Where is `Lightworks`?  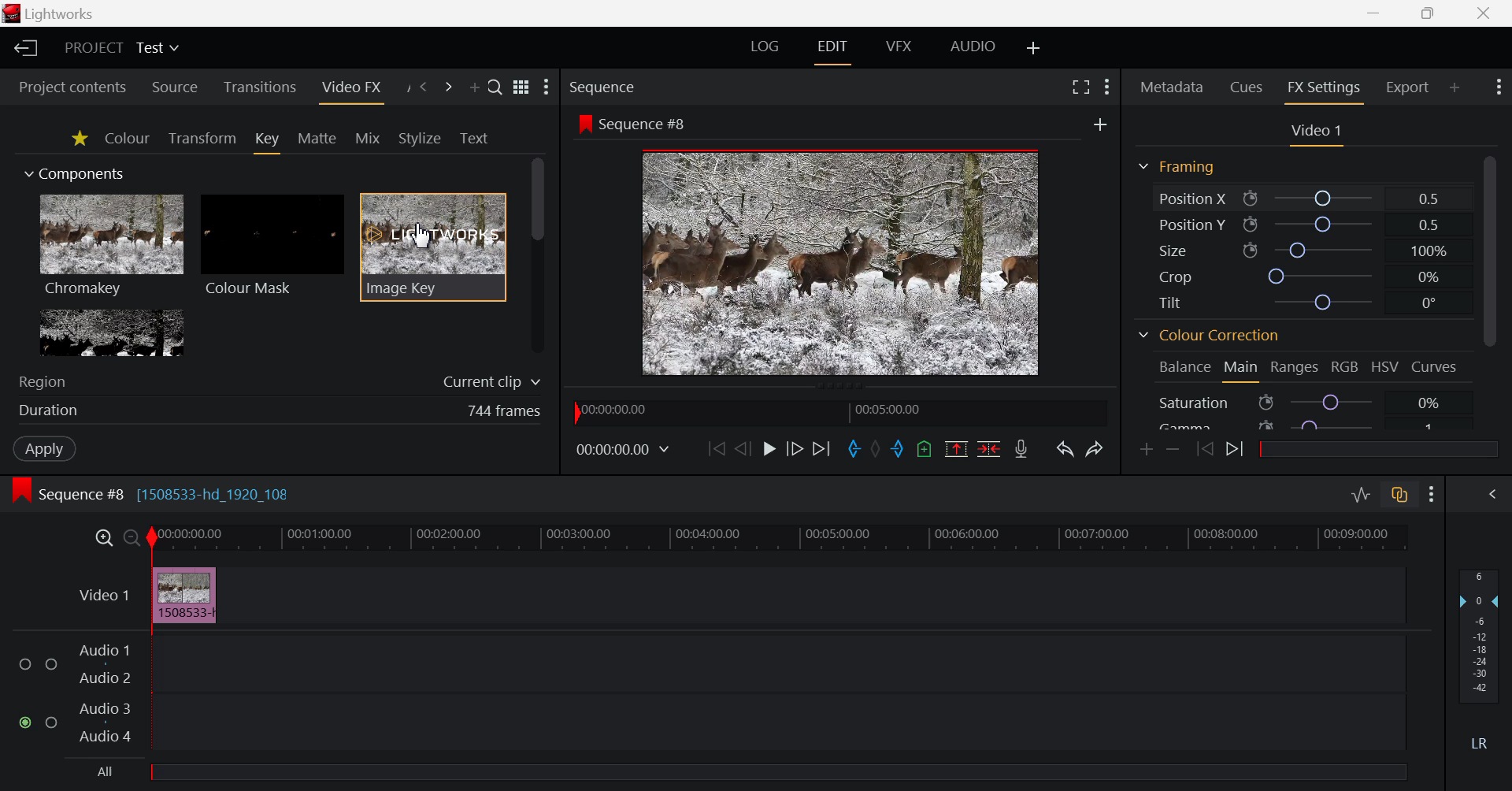
Lightworks is located at coordinates (65, 13).